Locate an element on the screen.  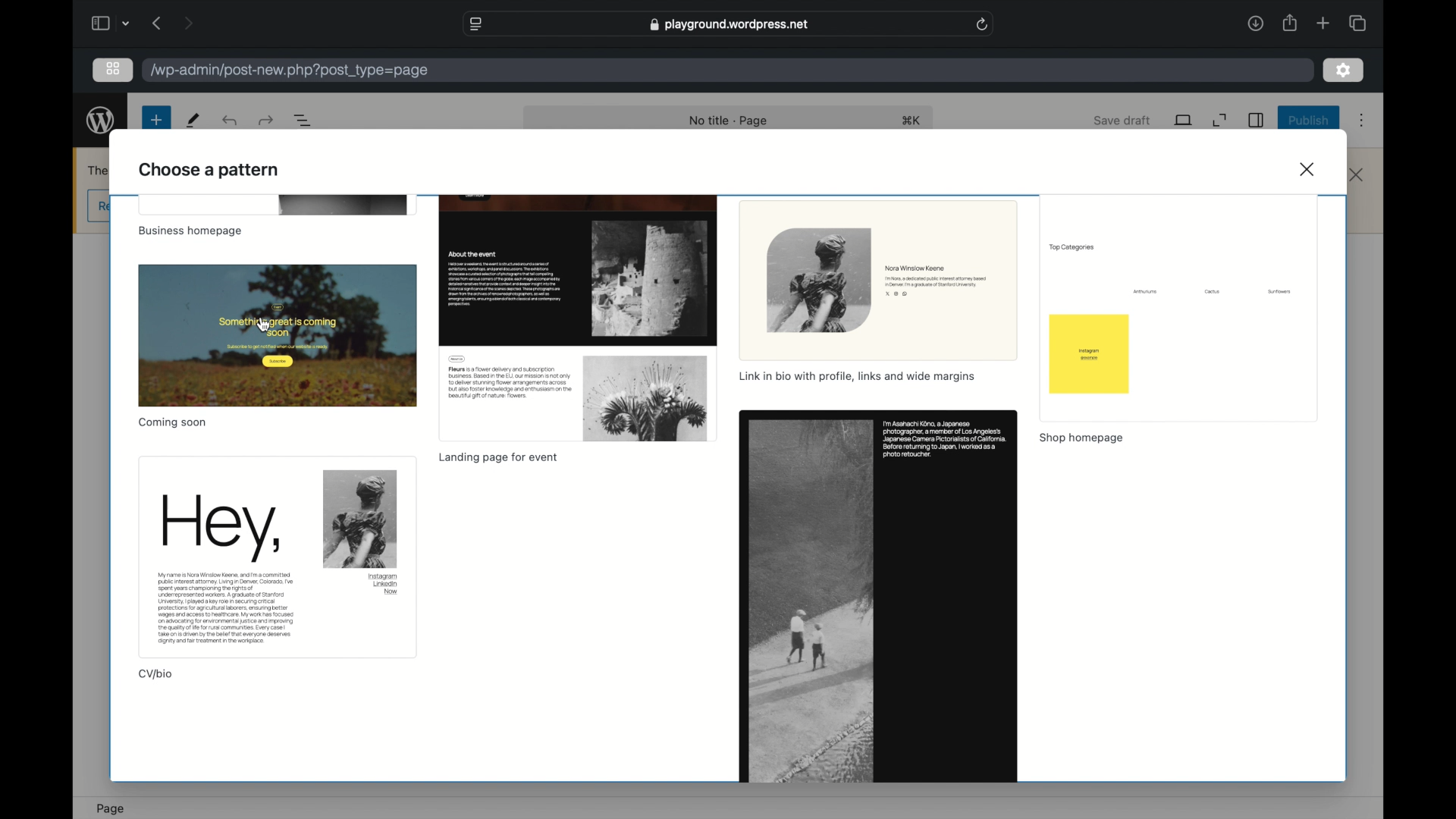
view is located at coordinates (1183, 121).